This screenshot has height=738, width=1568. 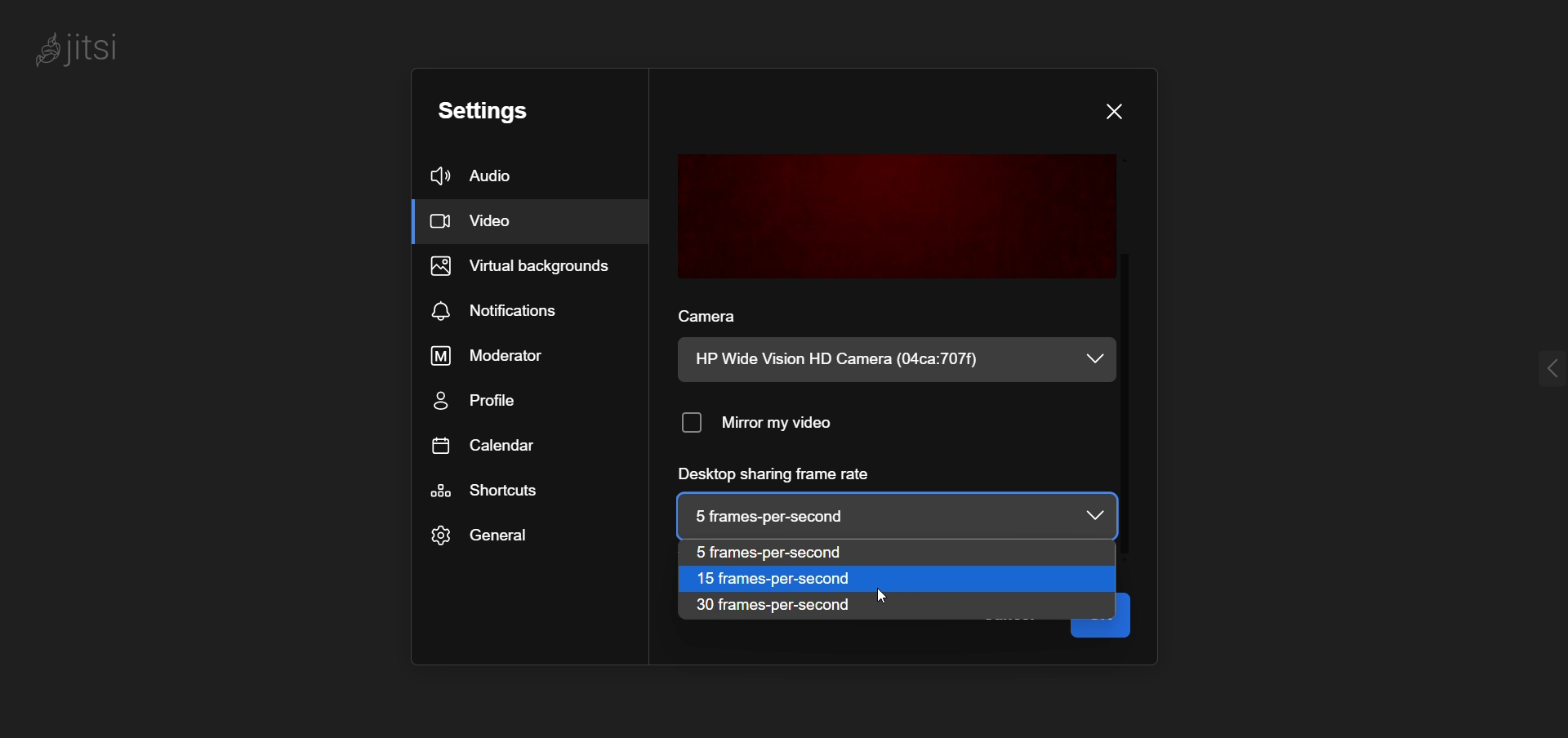 I want to click on | 5 frames-per-second, so click(x=788, y=514).